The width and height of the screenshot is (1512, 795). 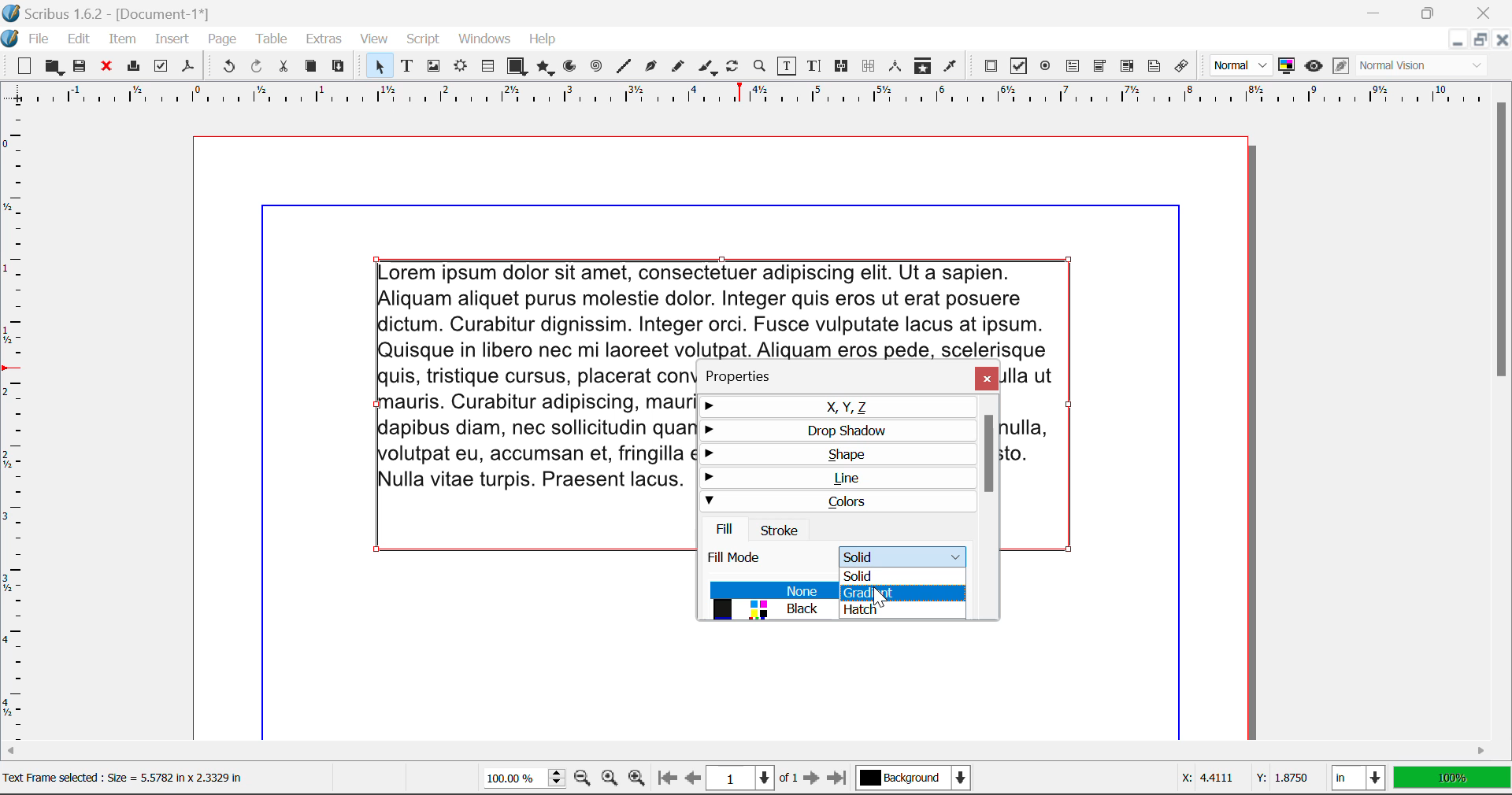 What do you see at coordinates (836, 453) in the screenshot?
I see `Shape` at bounding box center [836, 453].